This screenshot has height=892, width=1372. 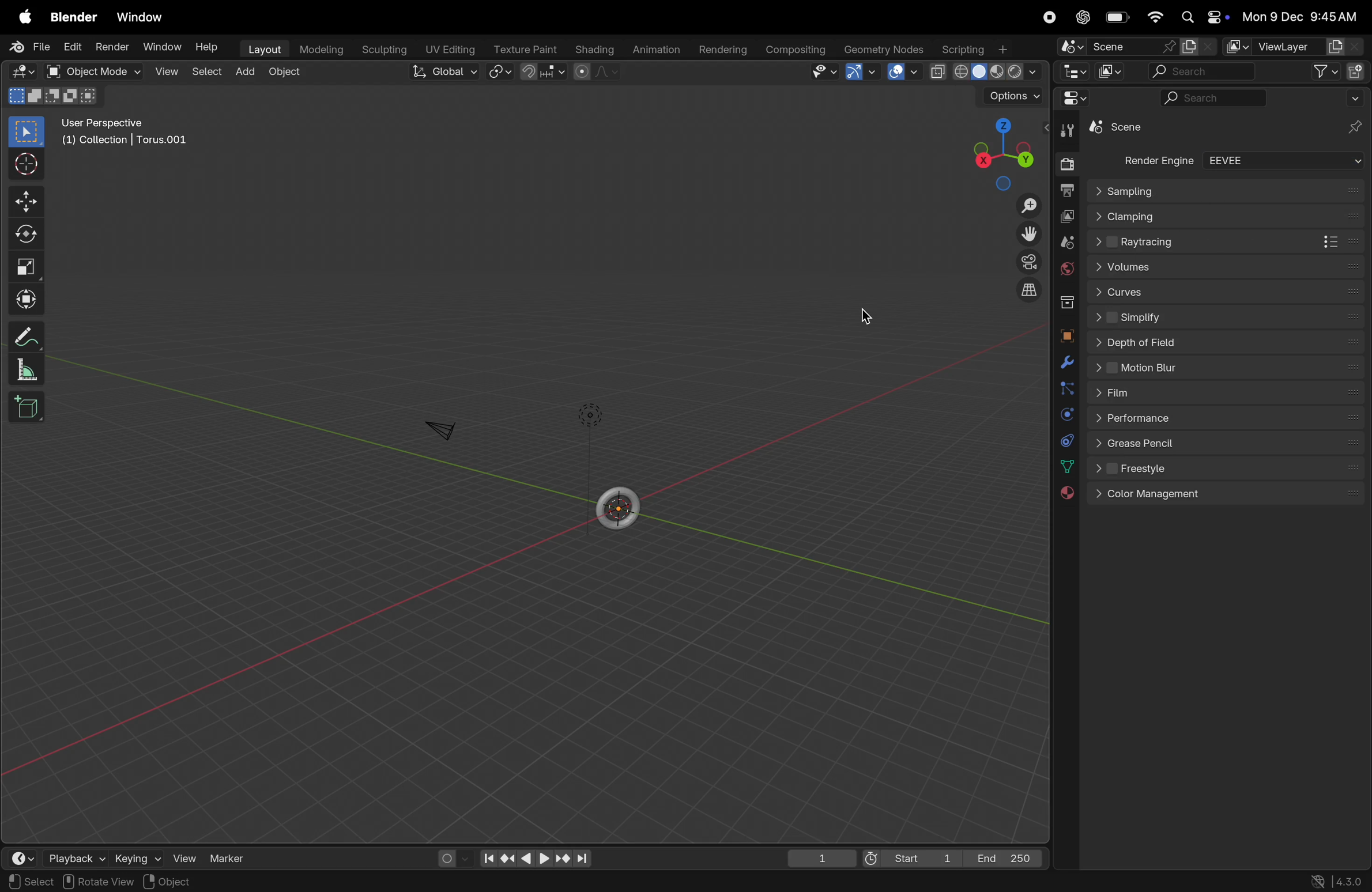 What do you see at coordinates (29, 235) in the screenshot?
I see `Rotate` at bounding box center [29, 235].